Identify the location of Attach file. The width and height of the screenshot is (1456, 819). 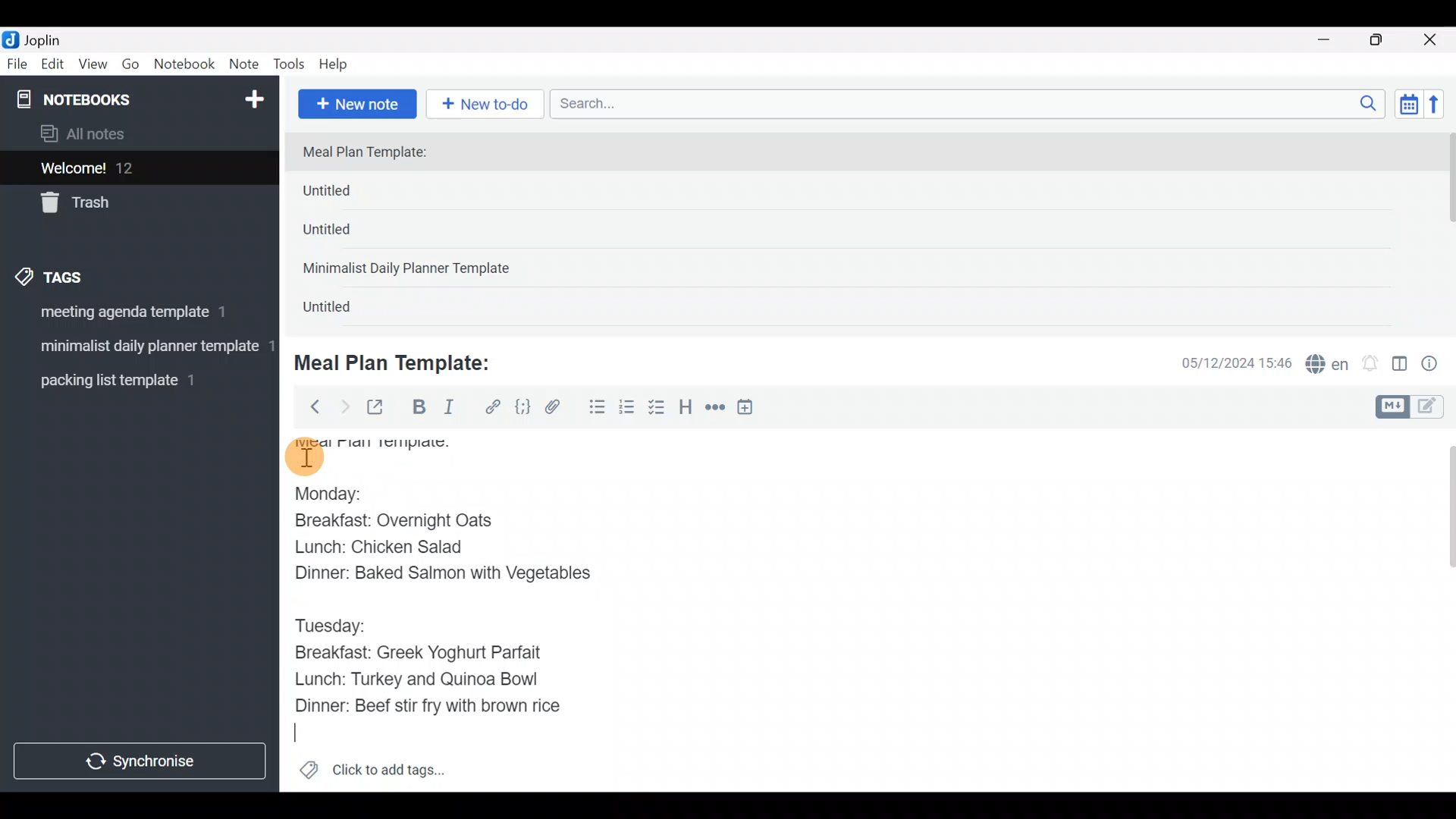
(557, 409).